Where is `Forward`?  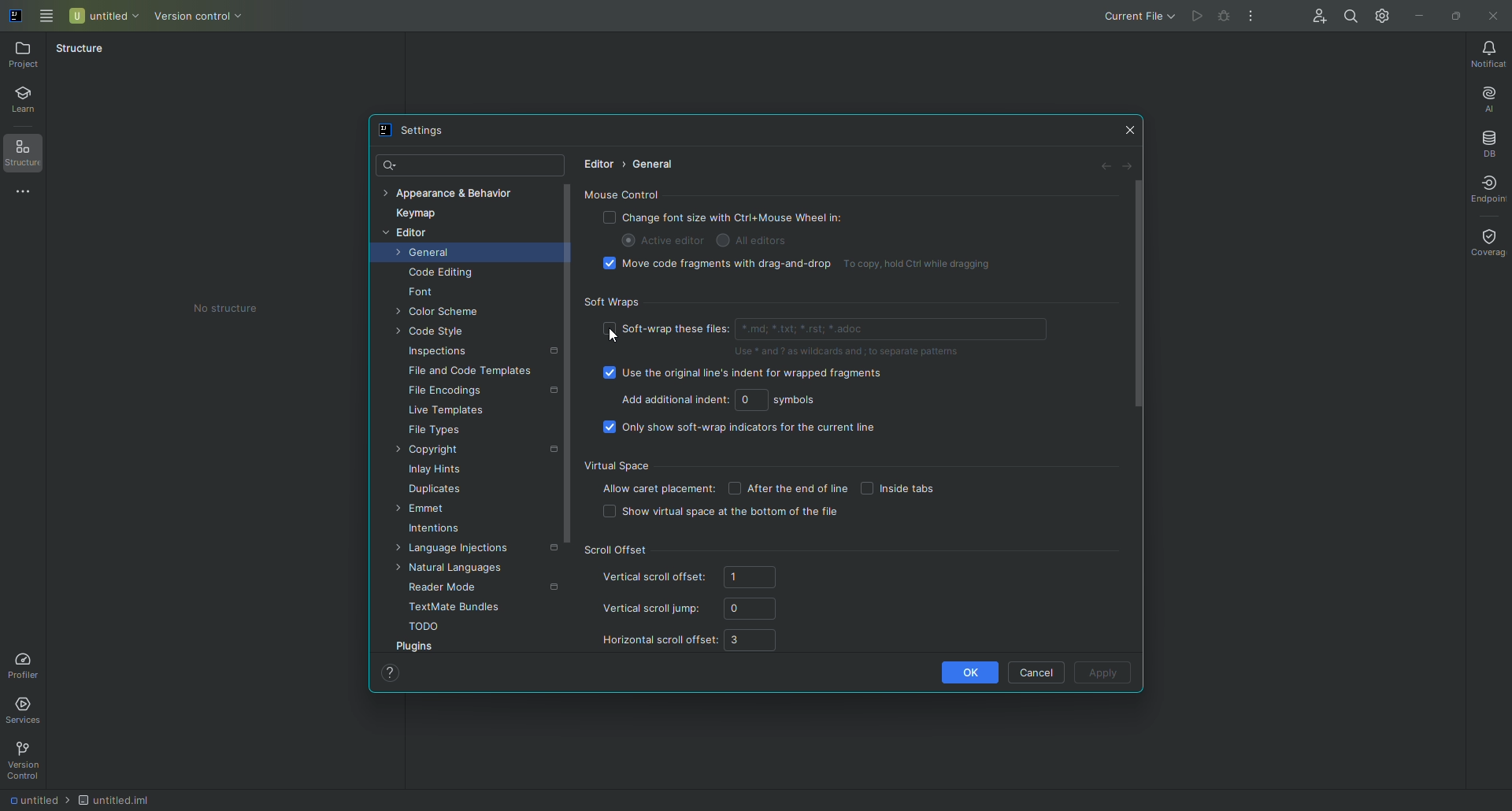
Forward is located at coordinates (1130, 165).